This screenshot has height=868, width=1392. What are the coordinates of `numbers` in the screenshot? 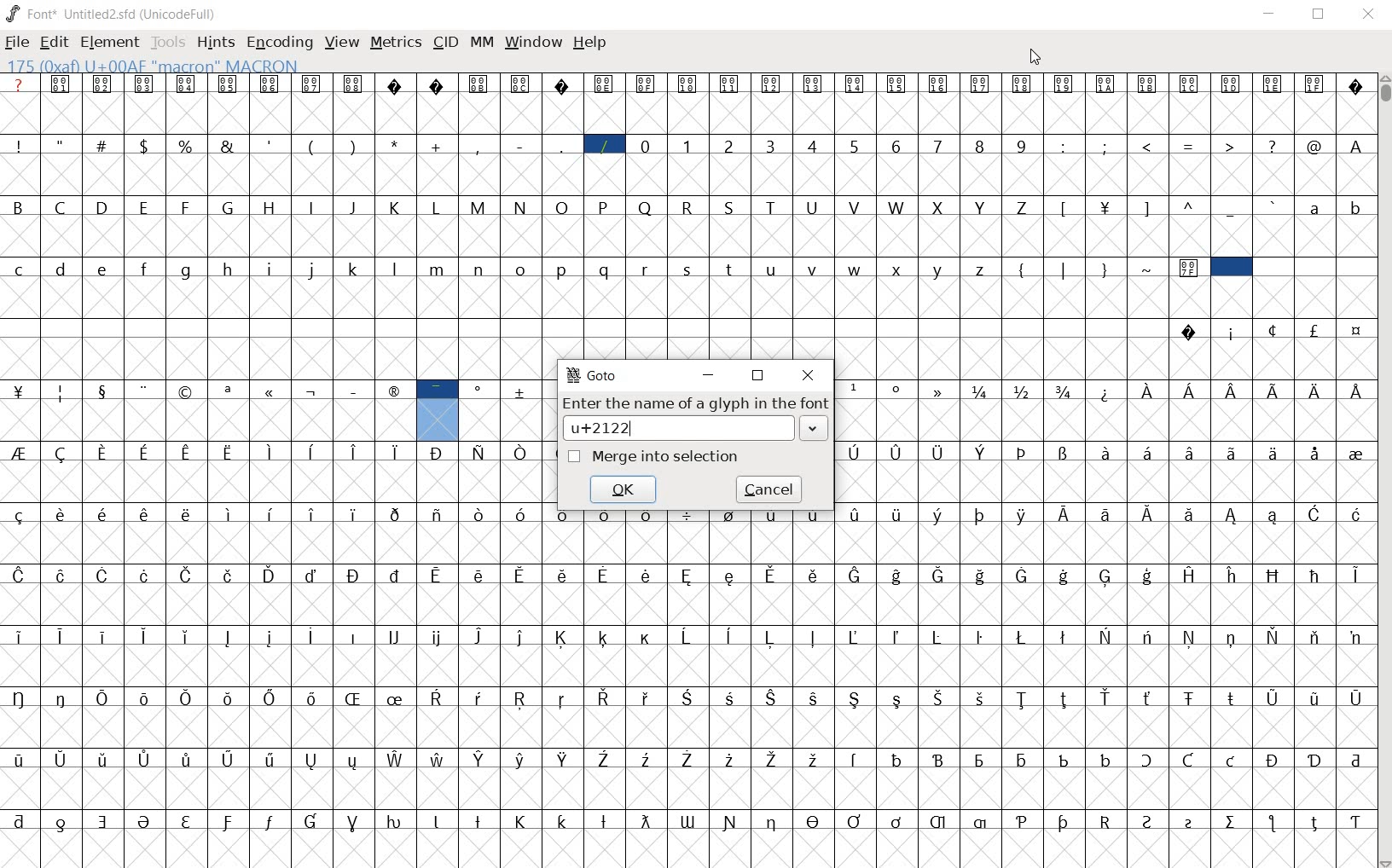 It's located at (833, 165).